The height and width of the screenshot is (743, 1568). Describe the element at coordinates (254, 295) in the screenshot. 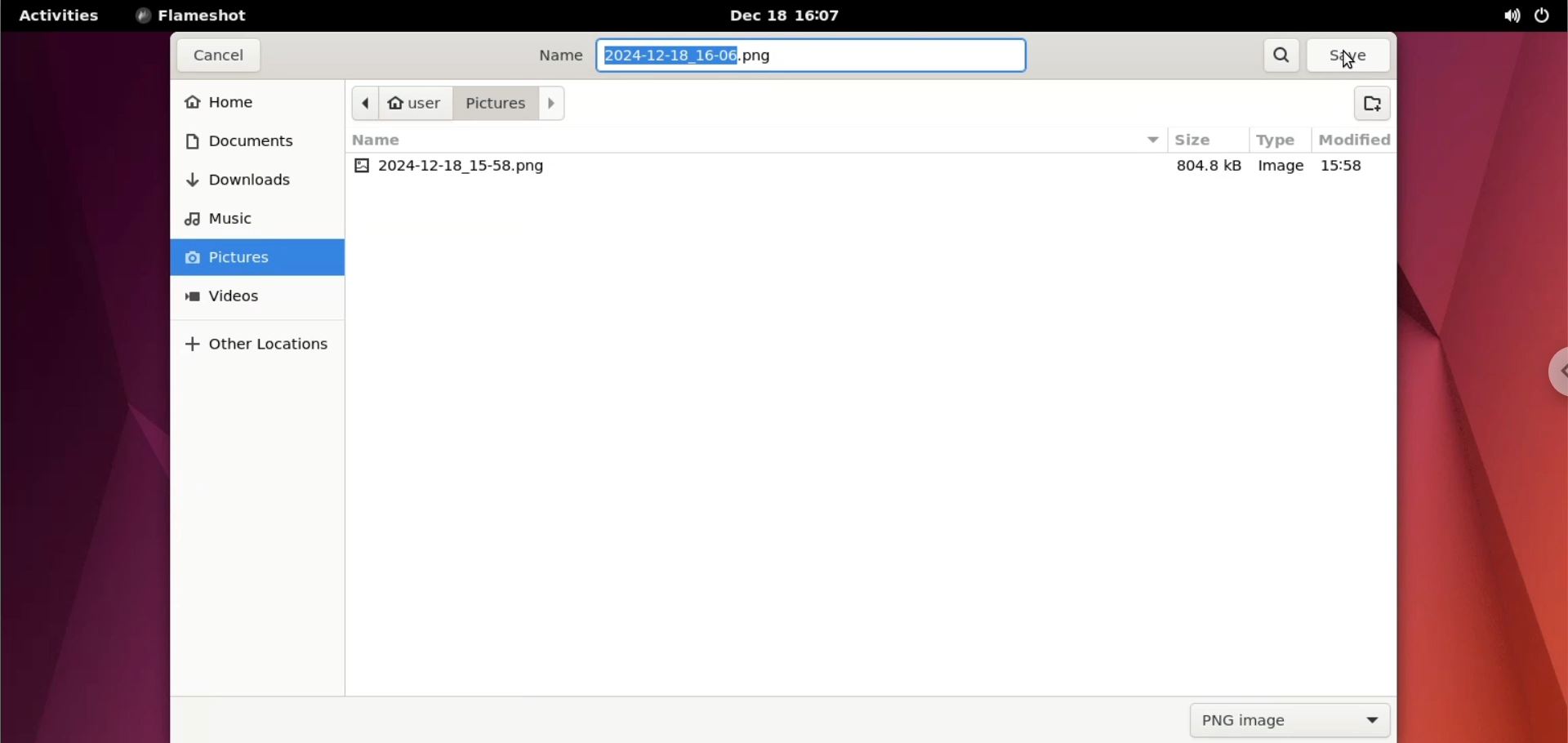

I see `videos` at that location.